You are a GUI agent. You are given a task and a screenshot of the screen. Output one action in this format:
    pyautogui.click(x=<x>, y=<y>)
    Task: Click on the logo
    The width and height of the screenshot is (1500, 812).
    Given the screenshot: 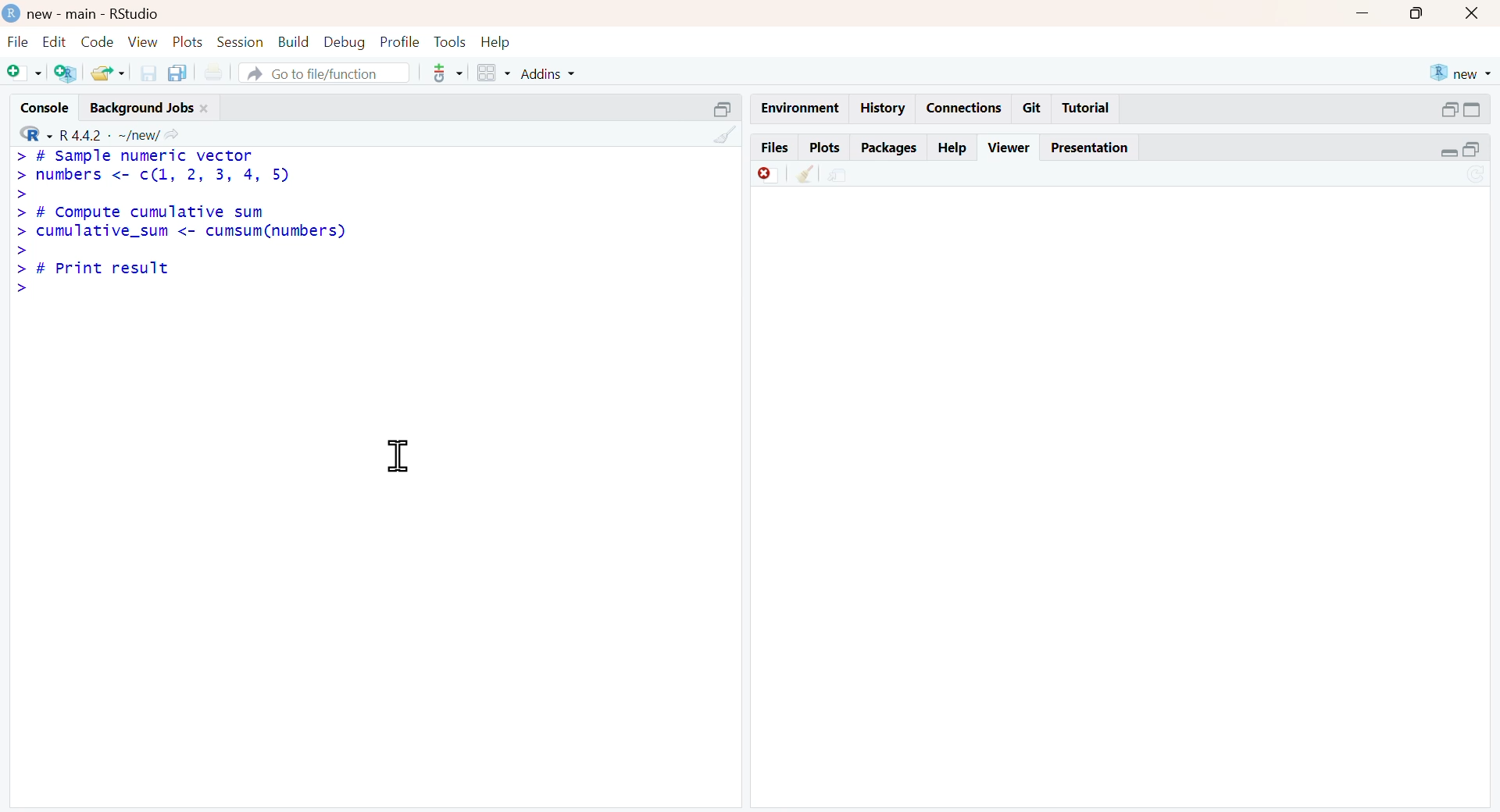 What is the action you would take?
    pyautogui.click(x=12, y=14)
    